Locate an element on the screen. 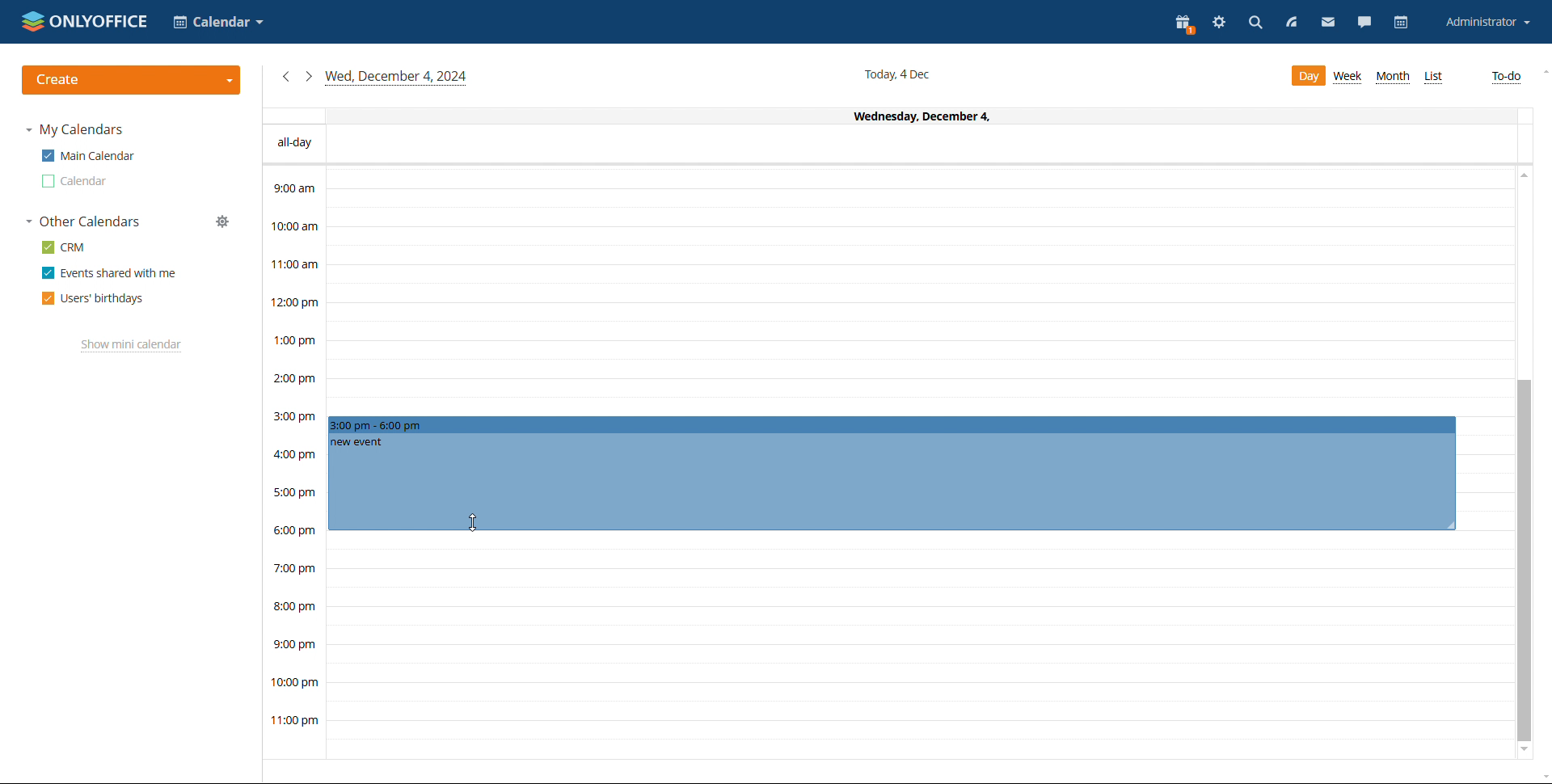 This screenshot has height=784, width=1552. week view is located at coordinates (1349, 77).